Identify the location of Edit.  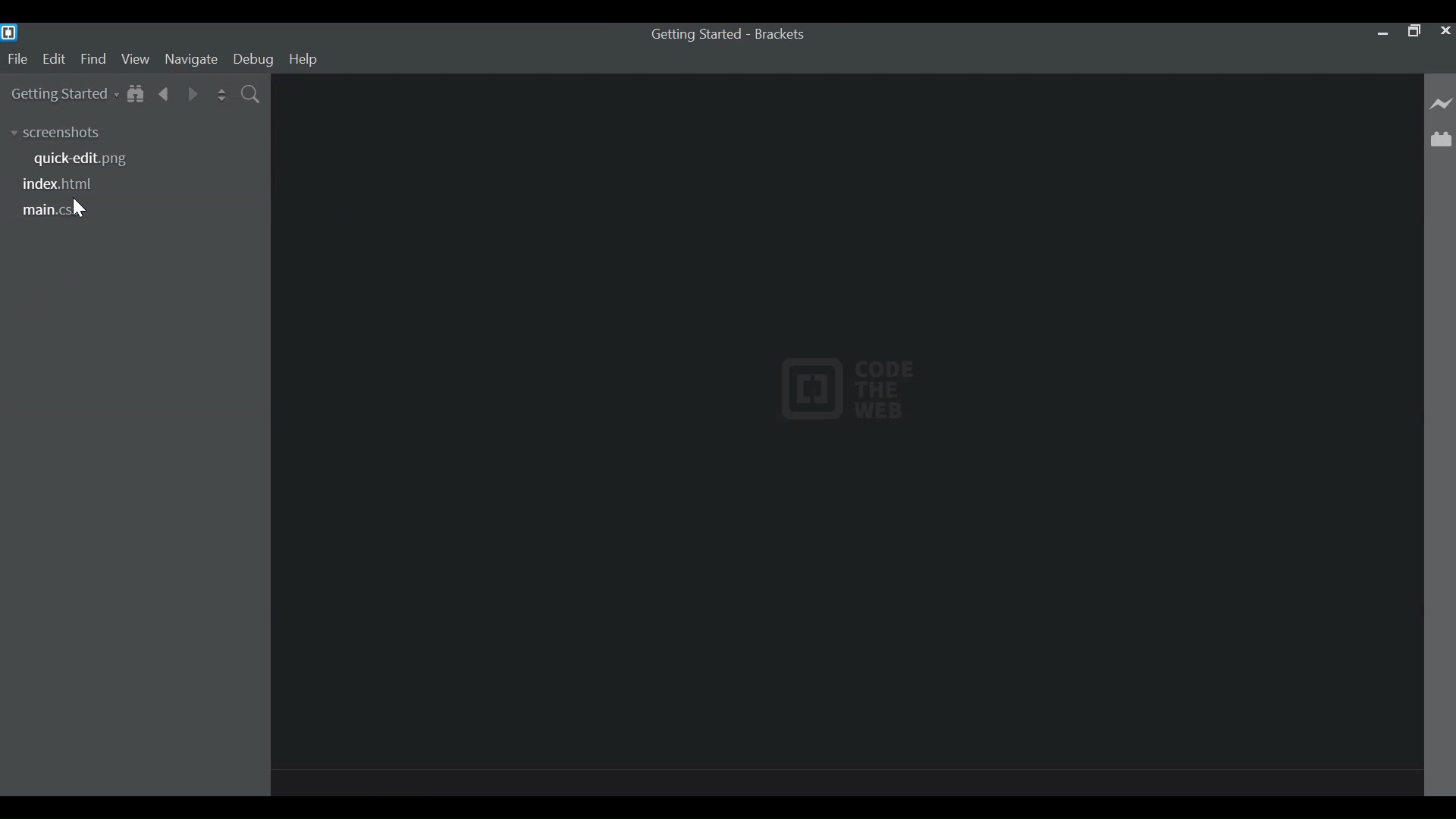
(56, 58).